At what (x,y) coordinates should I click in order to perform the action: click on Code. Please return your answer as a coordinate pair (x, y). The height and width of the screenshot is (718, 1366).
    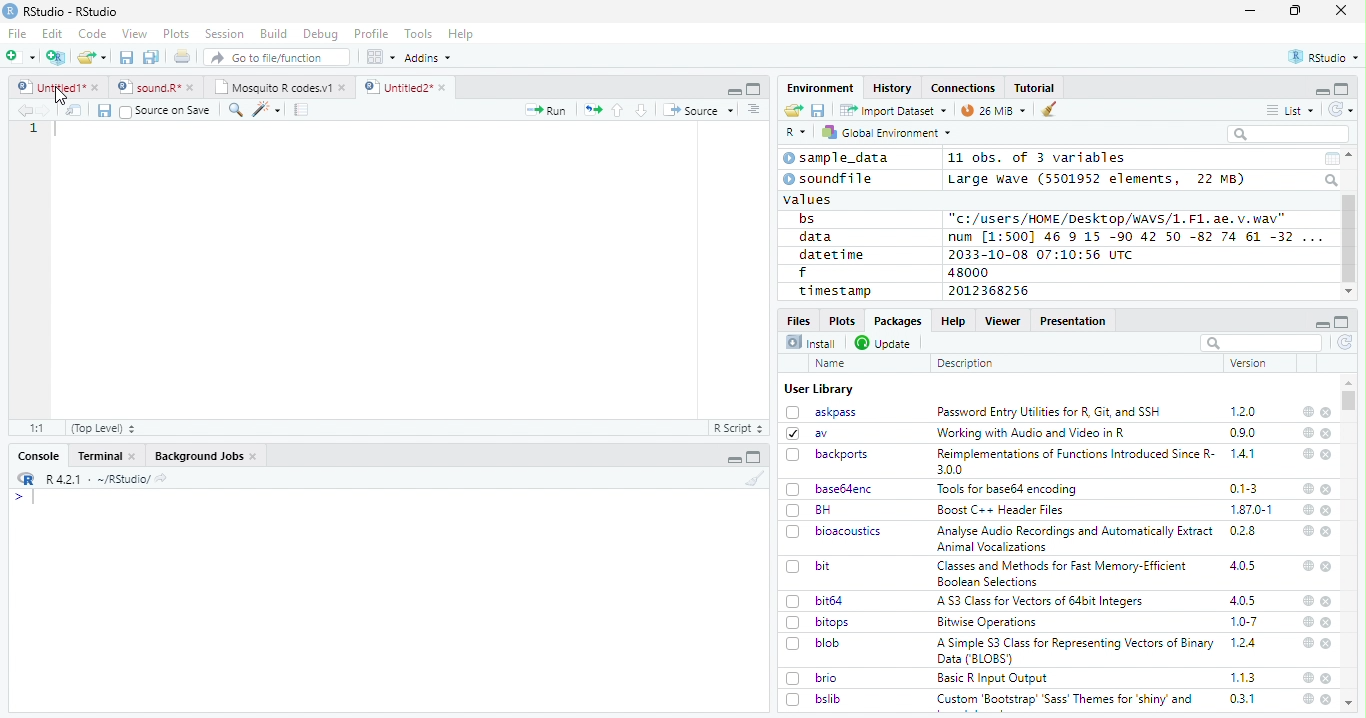
    Looking at the image, I should click on (91, 34).